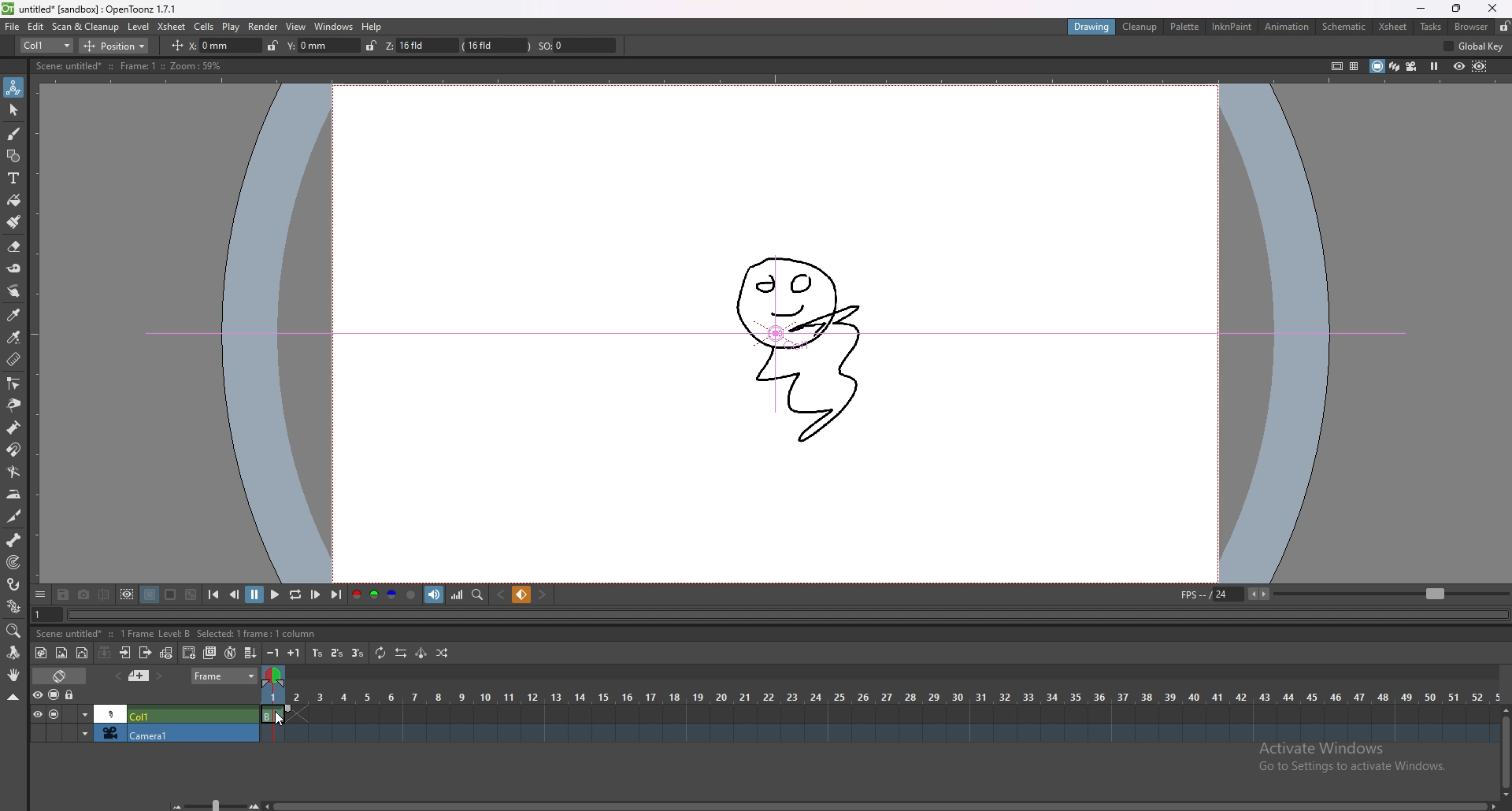  Describe the element at coordinates (13, 383) in the screenshot. I see `control point editor` at that location.